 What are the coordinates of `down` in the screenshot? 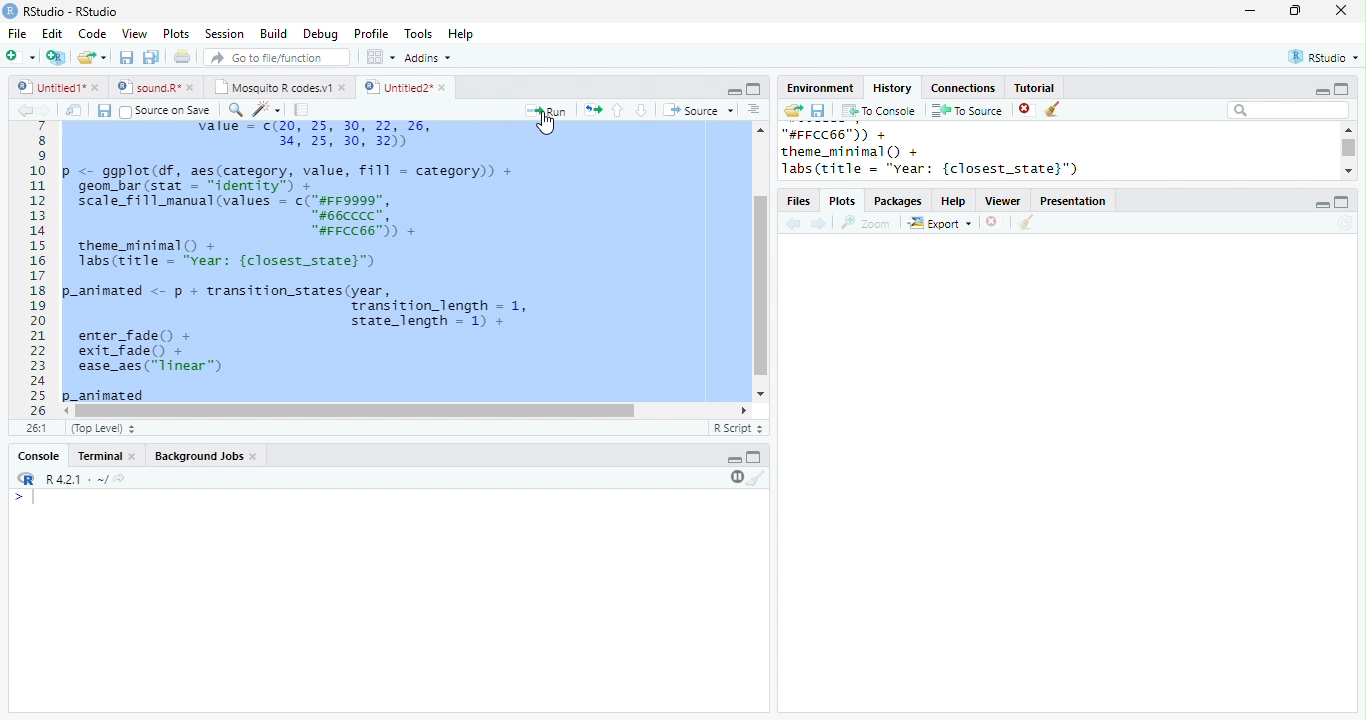 It's located at (640, 110).